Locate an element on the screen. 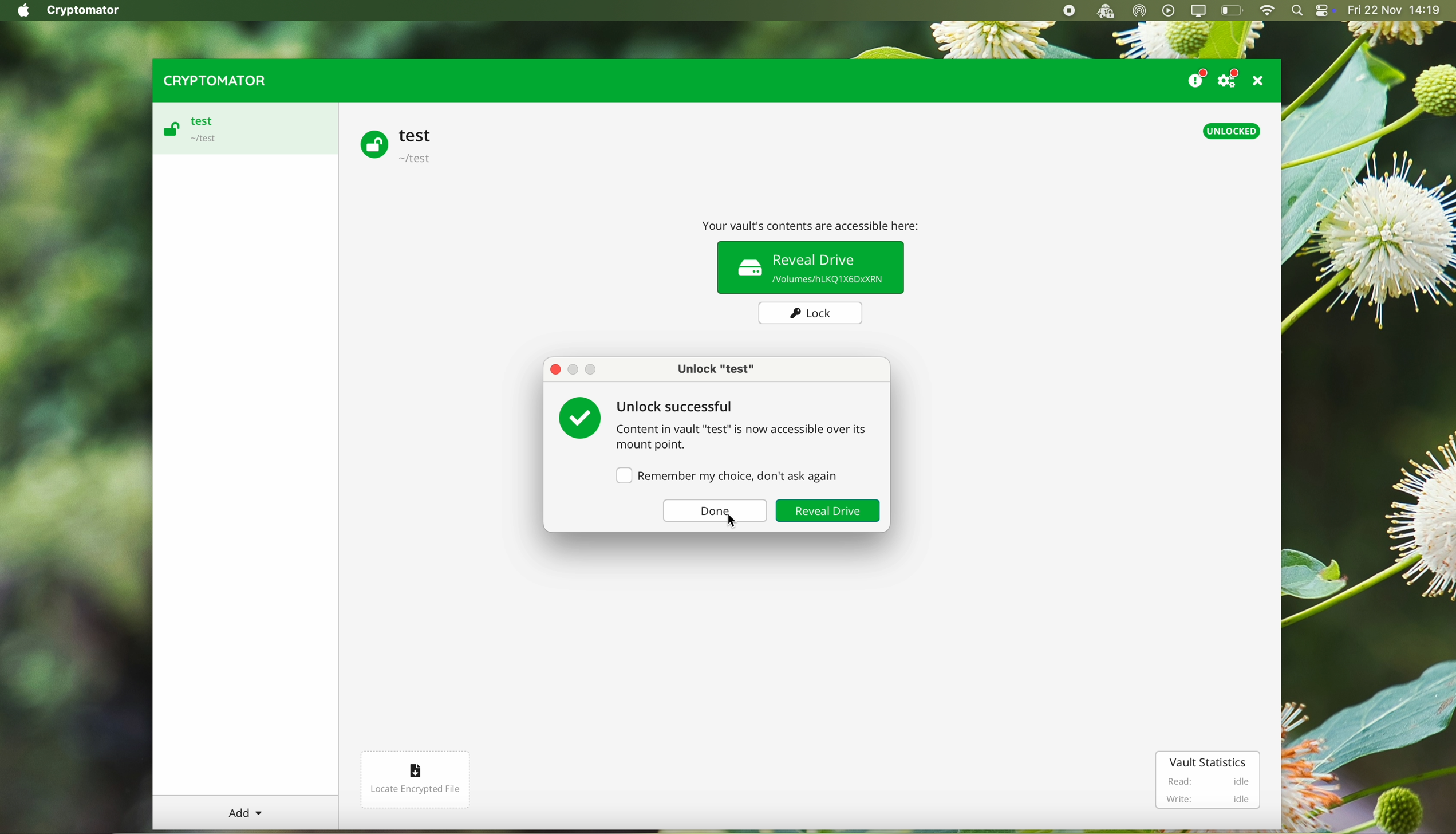 The width and height of the screenshot is (1456, 834). Unlo
ck "test" is located at coordinates (721, 369).